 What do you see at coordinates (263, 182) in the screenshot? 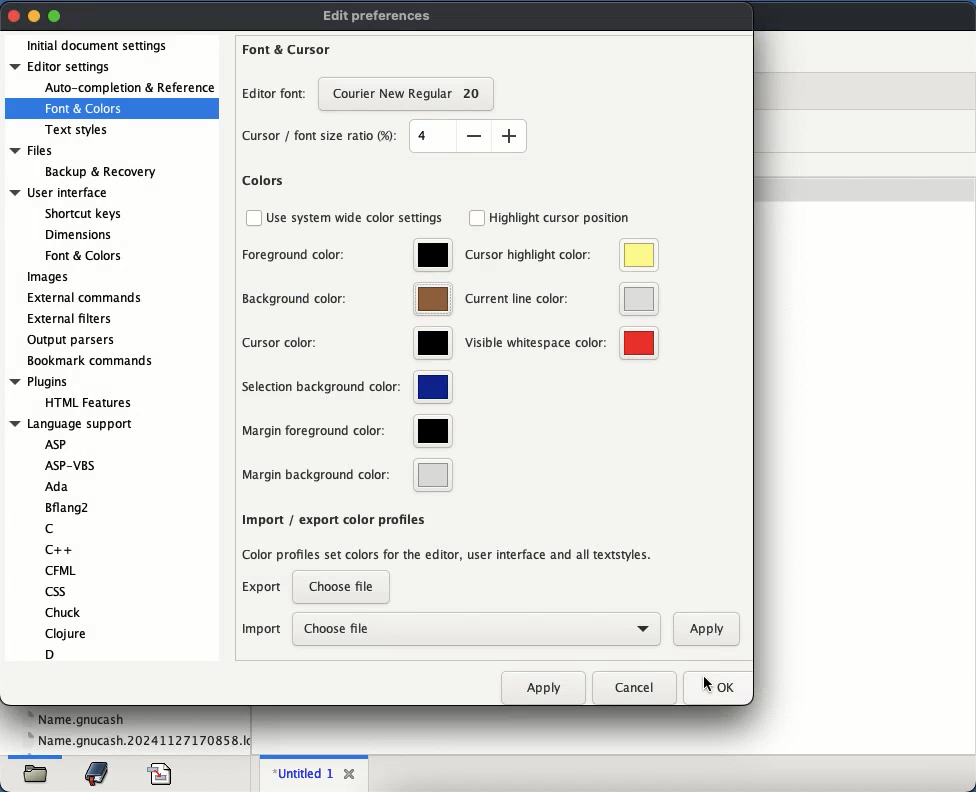
I see `colors` at bounding box center [263, 182].